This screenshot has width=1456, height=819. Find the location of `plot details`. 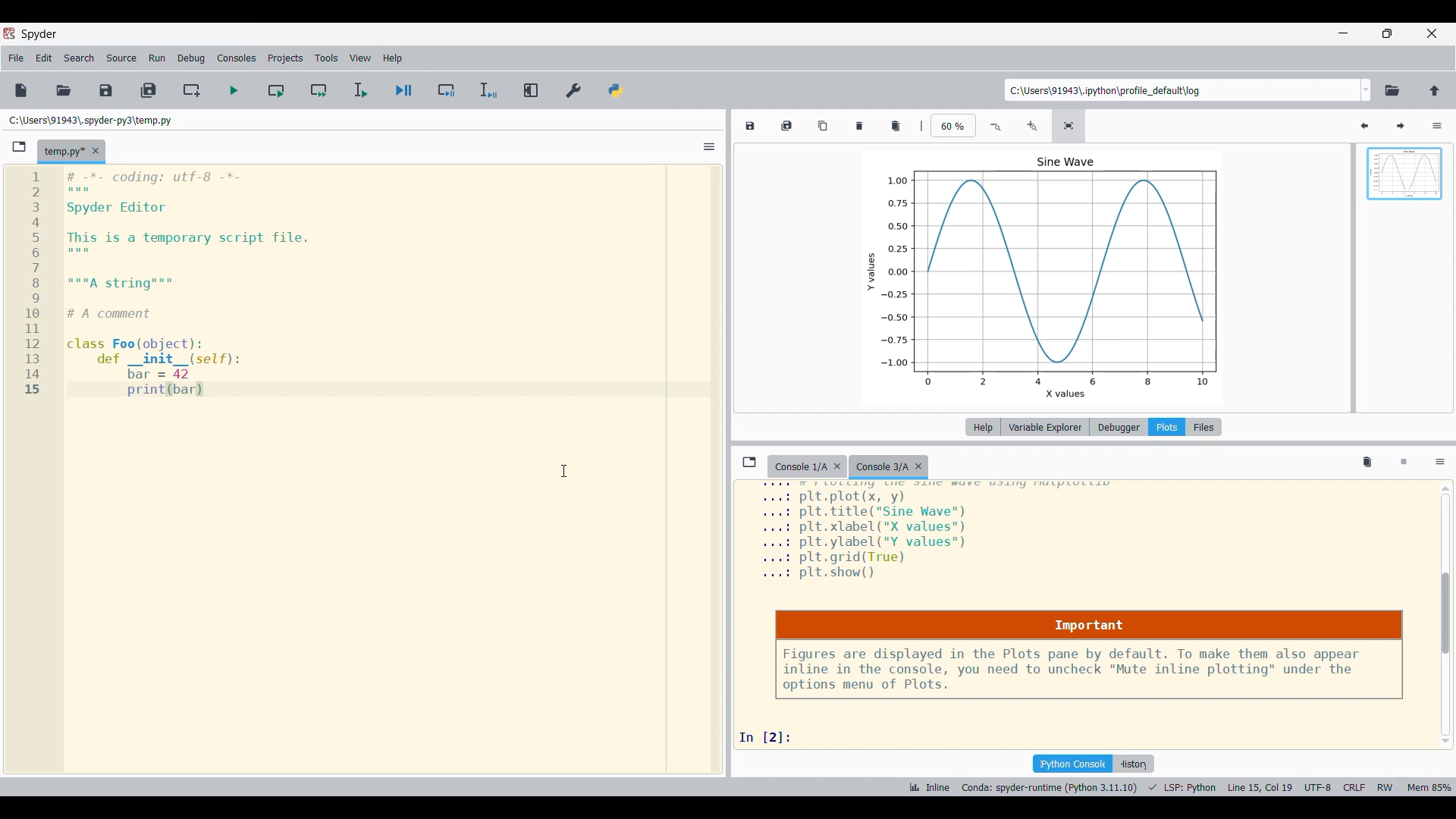

plot details is located at coordinates (944, 534).